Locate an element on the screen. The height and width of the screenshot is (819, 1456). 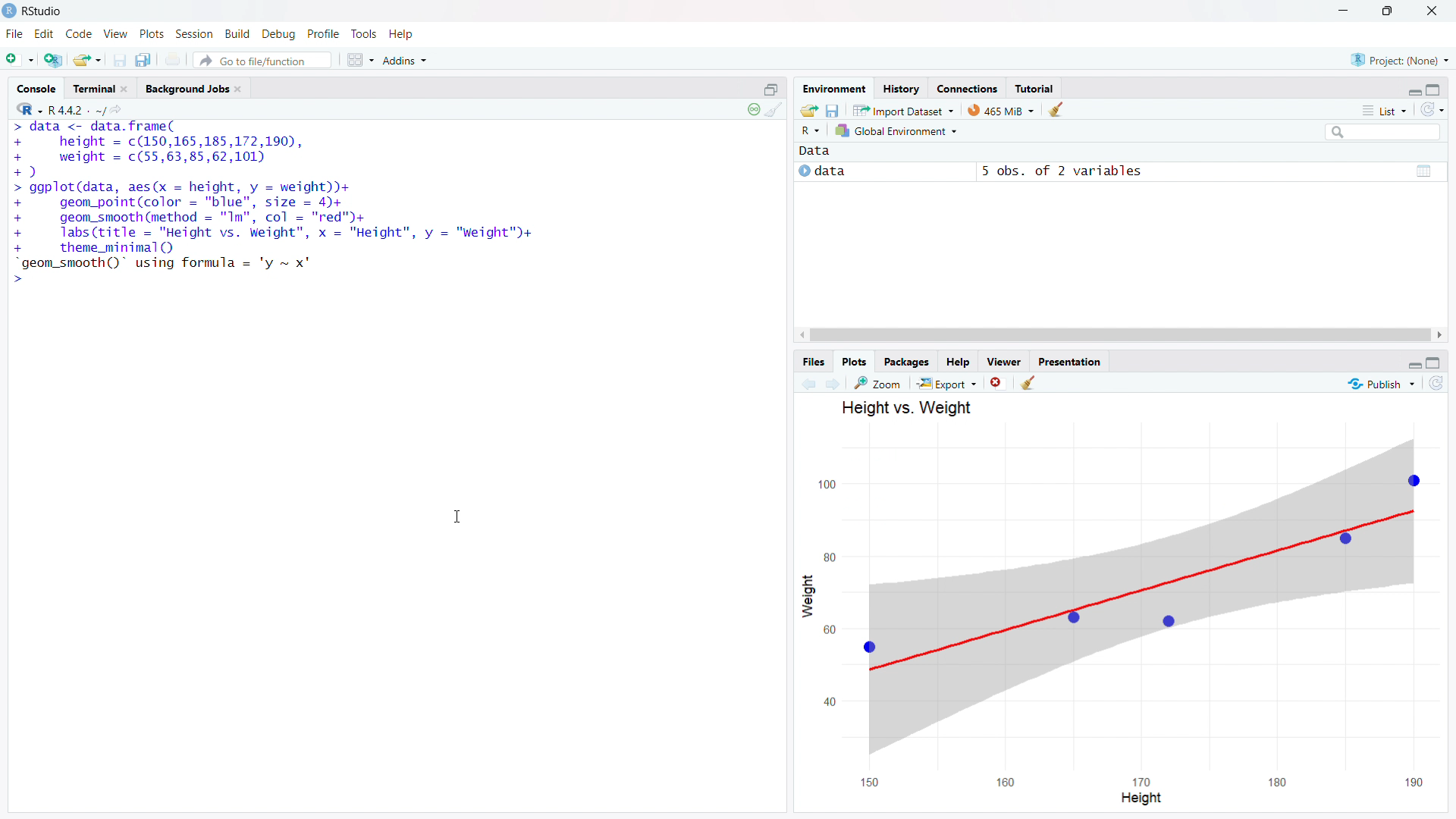
help is located at coordinates (402, 34).